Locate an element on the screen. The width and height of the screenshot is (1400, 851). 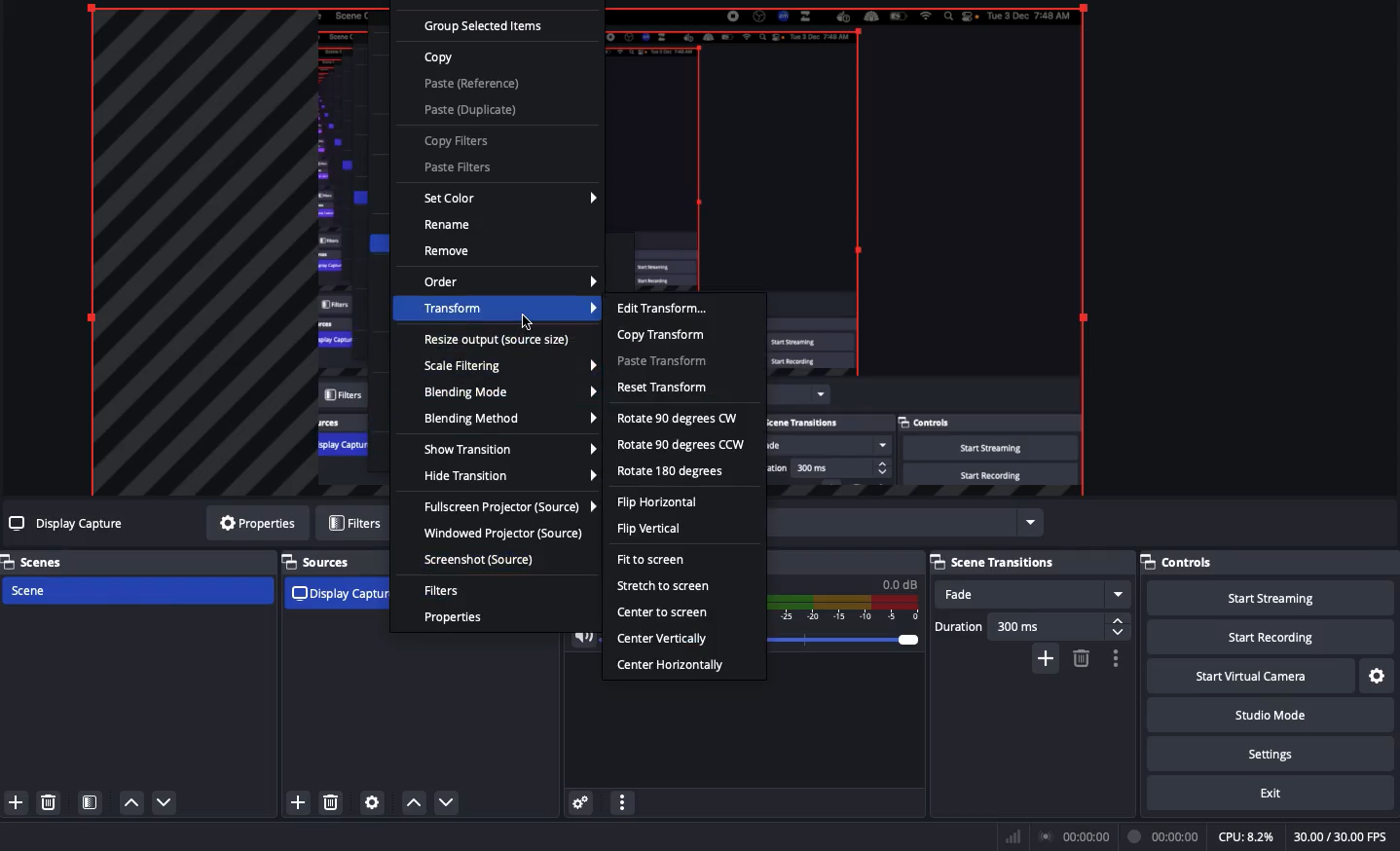
Settings is located at coordinates (1269, 754).